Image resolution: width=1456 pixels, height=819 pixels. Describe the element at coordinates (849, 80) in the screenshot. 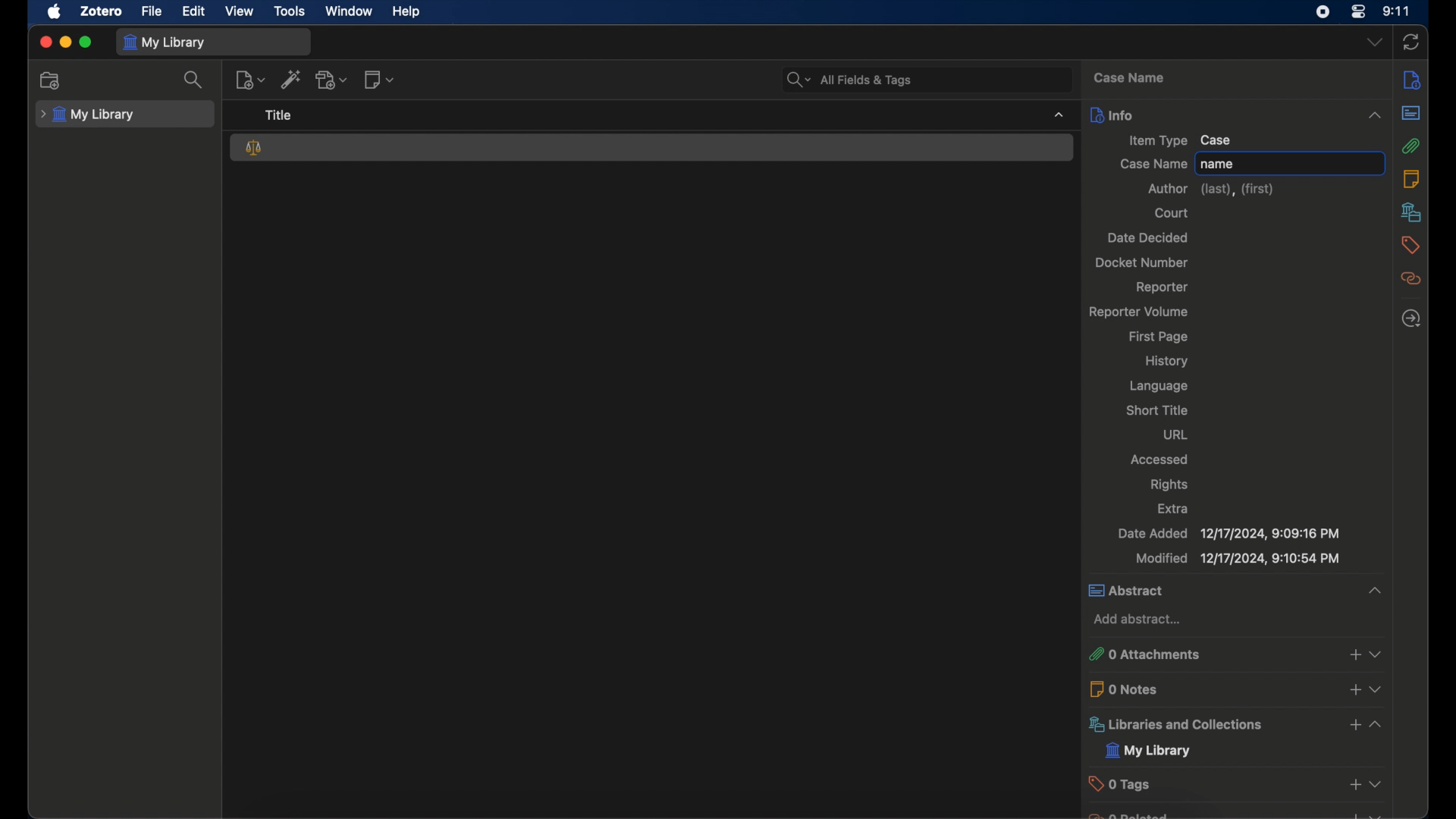

I see `all fields and tags` at that location.